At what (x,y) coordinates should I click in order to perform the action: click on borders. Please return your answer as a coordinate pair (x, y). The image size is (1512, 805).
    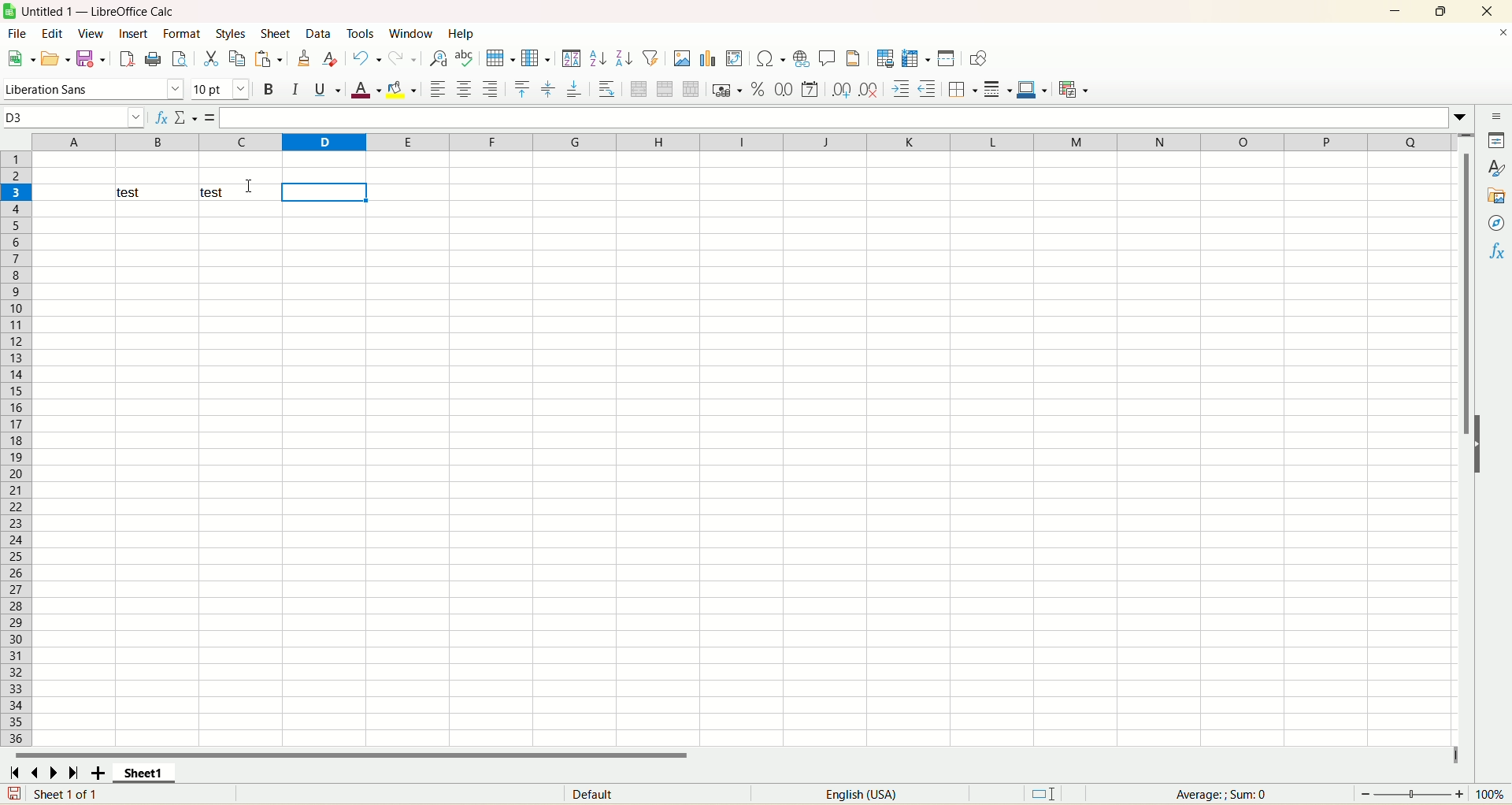
    Looking at the image, I should click on (963, 89).